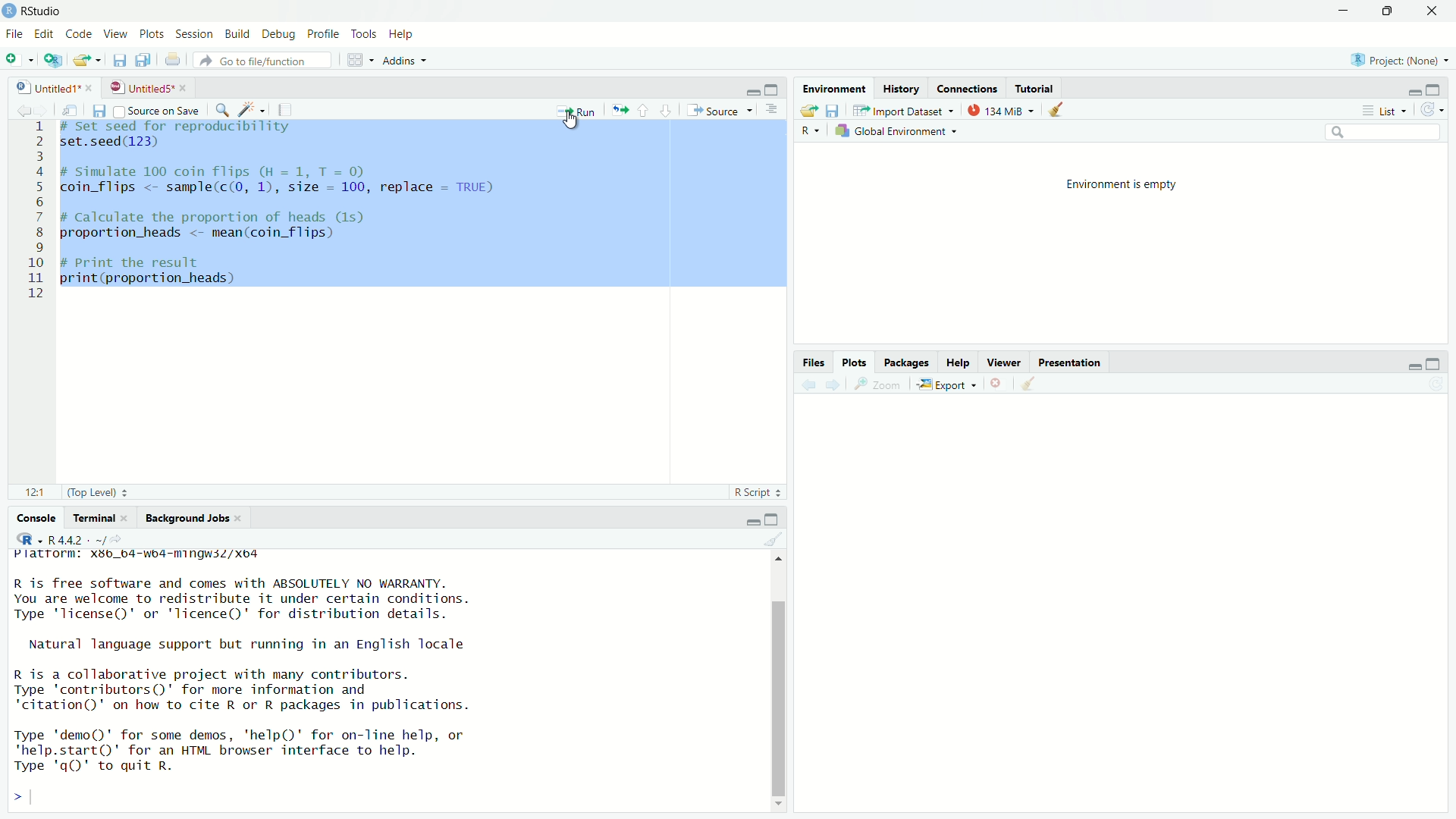 The height and width of the screenshot is (819, 1456). I want to click on print(proportion_heads), so click(157, 279).